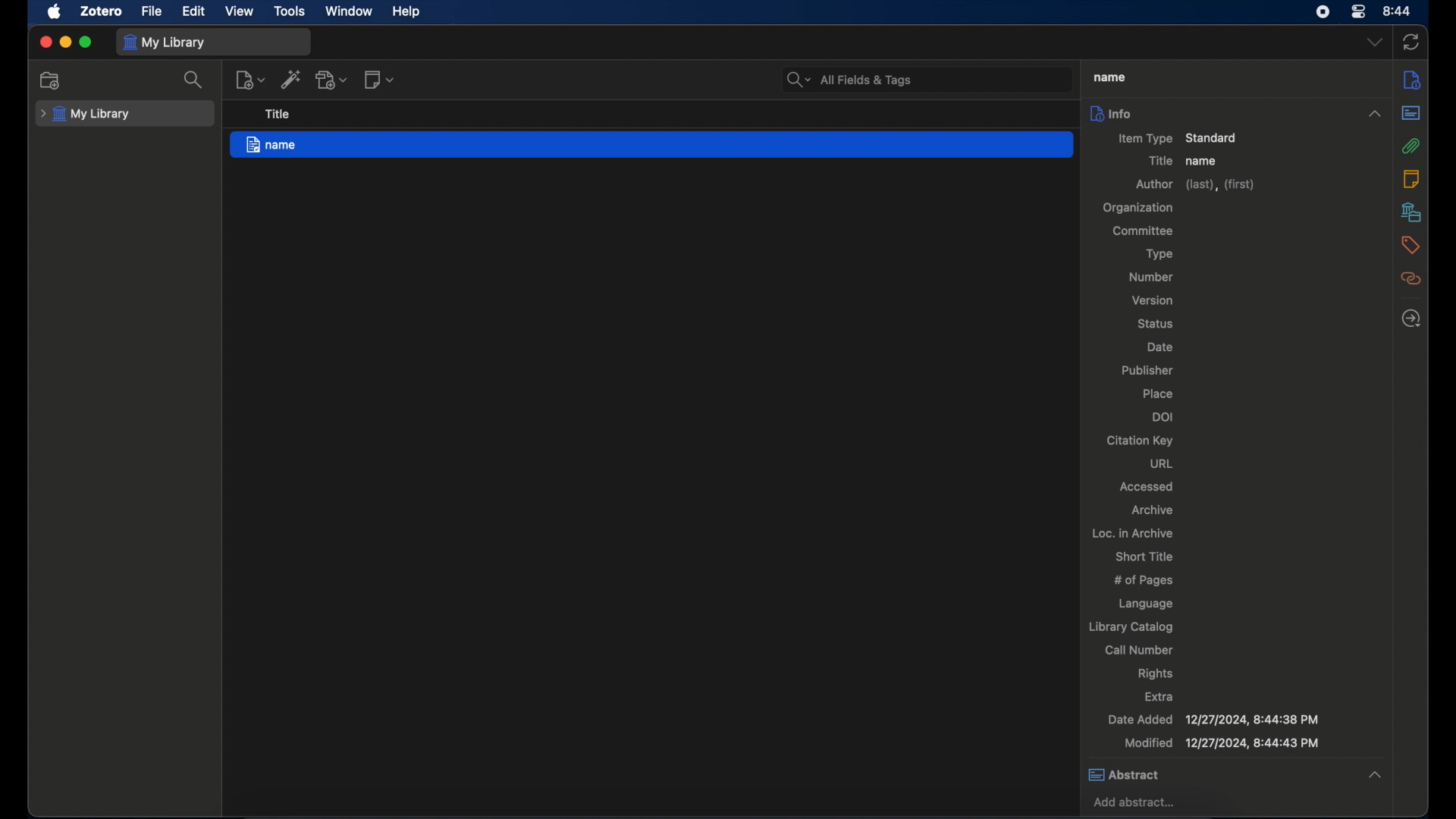 This screenshot has height=819, width=1456. I want to click on collapse, so click(1374, 114).